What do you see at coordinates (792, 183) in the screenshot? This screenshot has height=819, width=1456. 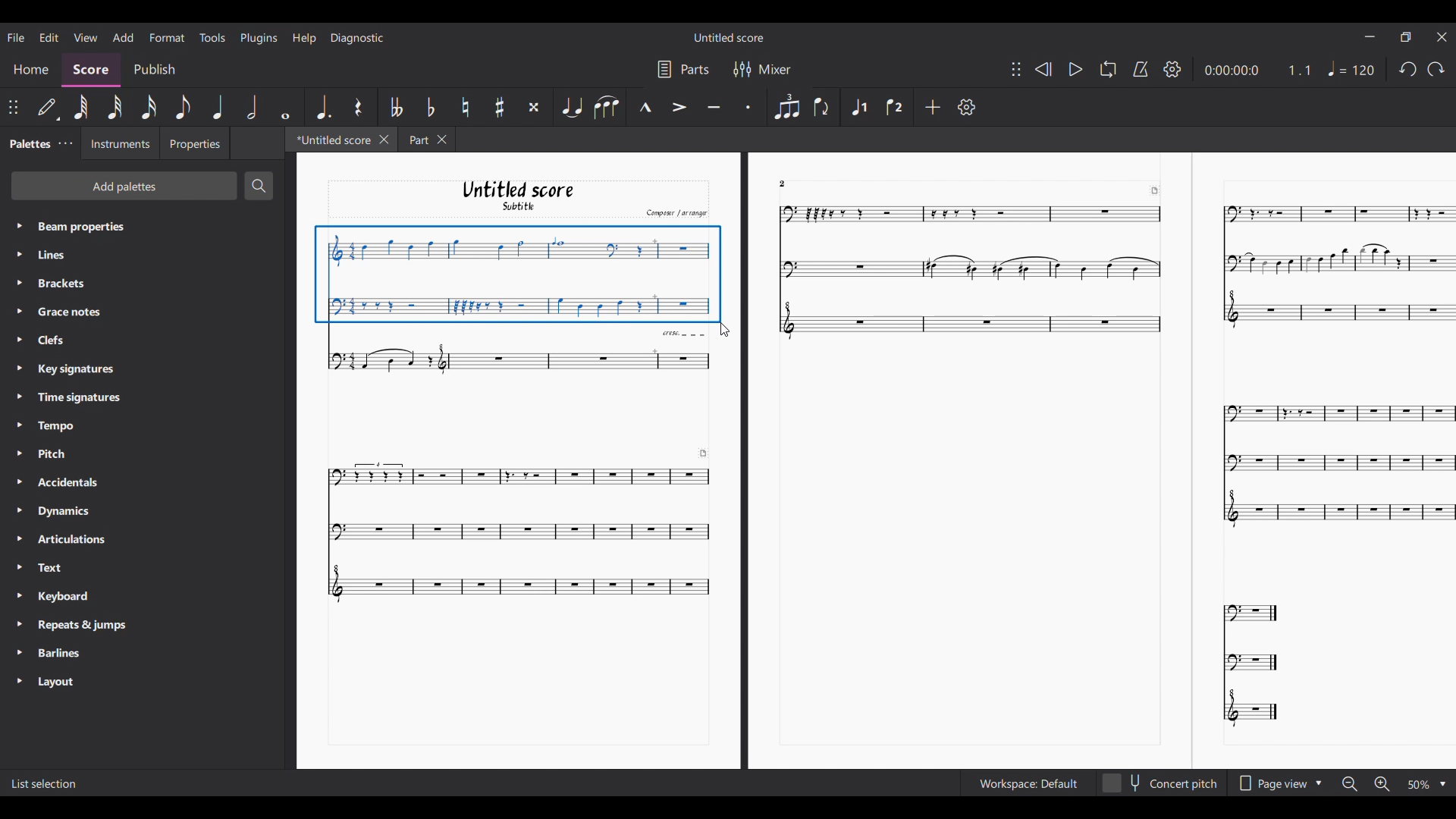 I see `2` at bounding box center [792, 183].